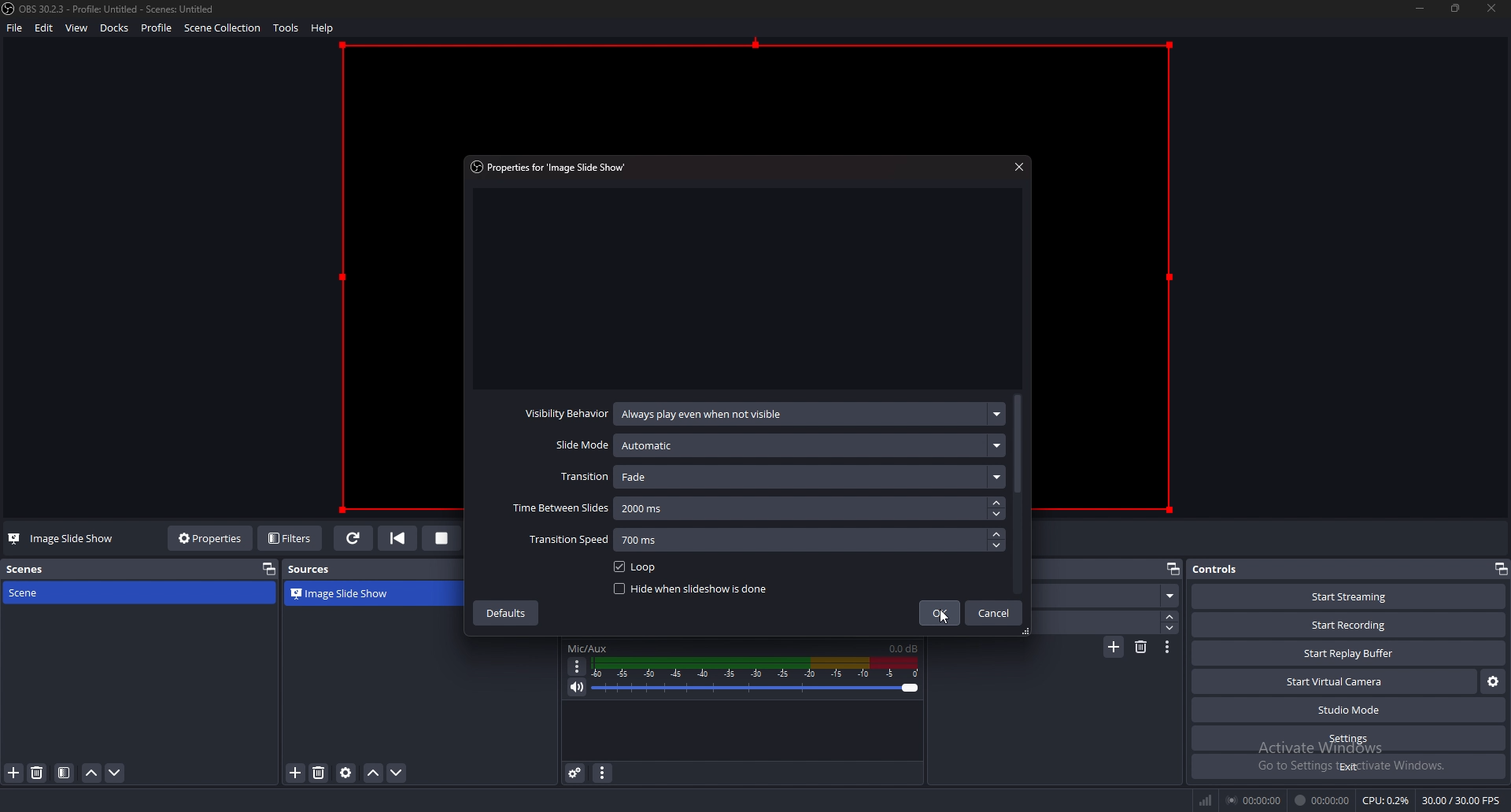 The width and height of the screenshot is (1511, 812). What do you see at coordinates (508, 611) in the screenshot?
I see `defaults` at bounding box center [508, 611].